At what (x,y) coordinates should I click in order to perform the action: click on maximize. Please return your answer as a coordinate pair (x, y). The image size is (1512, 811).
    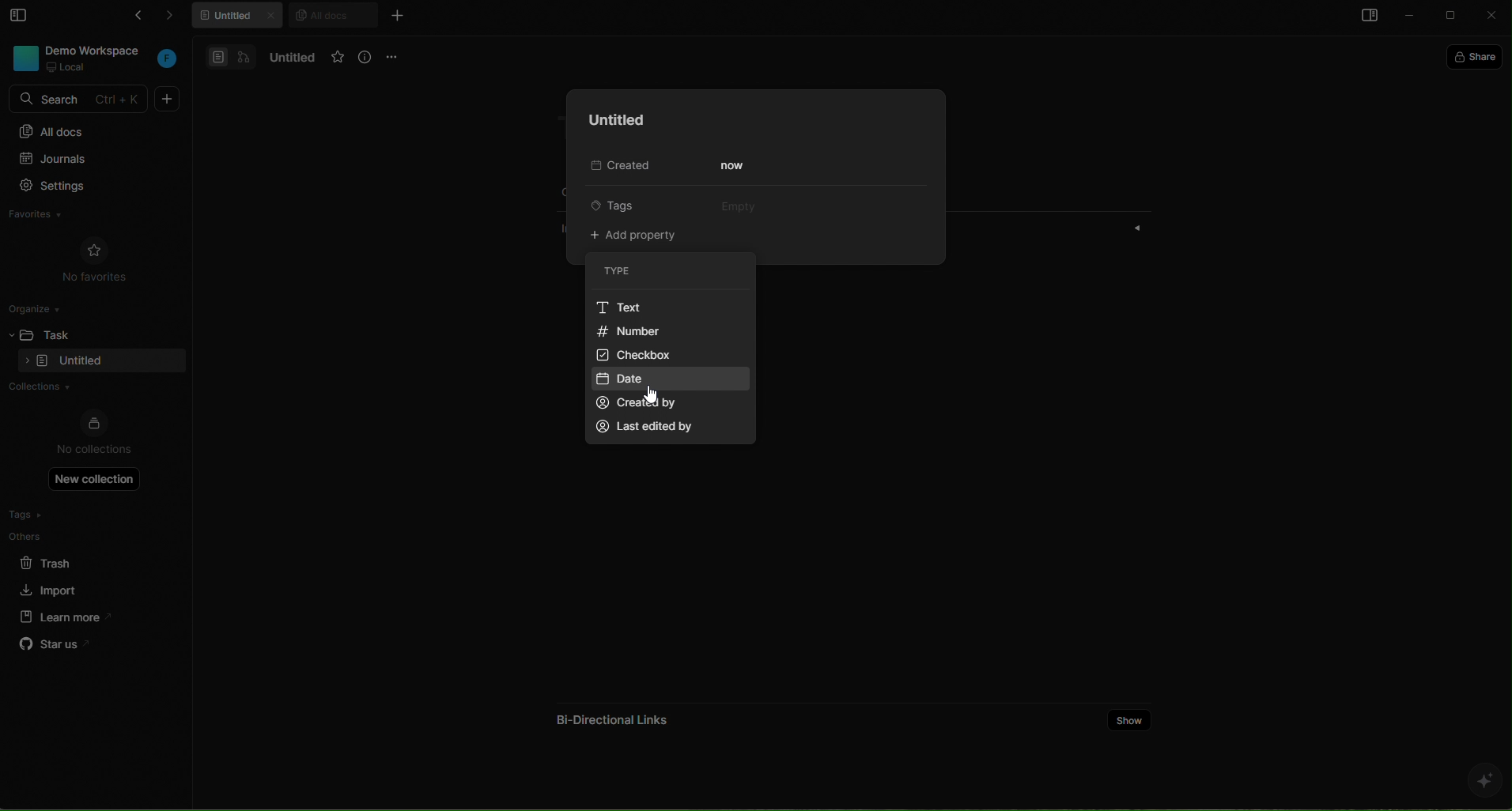
    Looking at the image, I should click on (1453, 17).